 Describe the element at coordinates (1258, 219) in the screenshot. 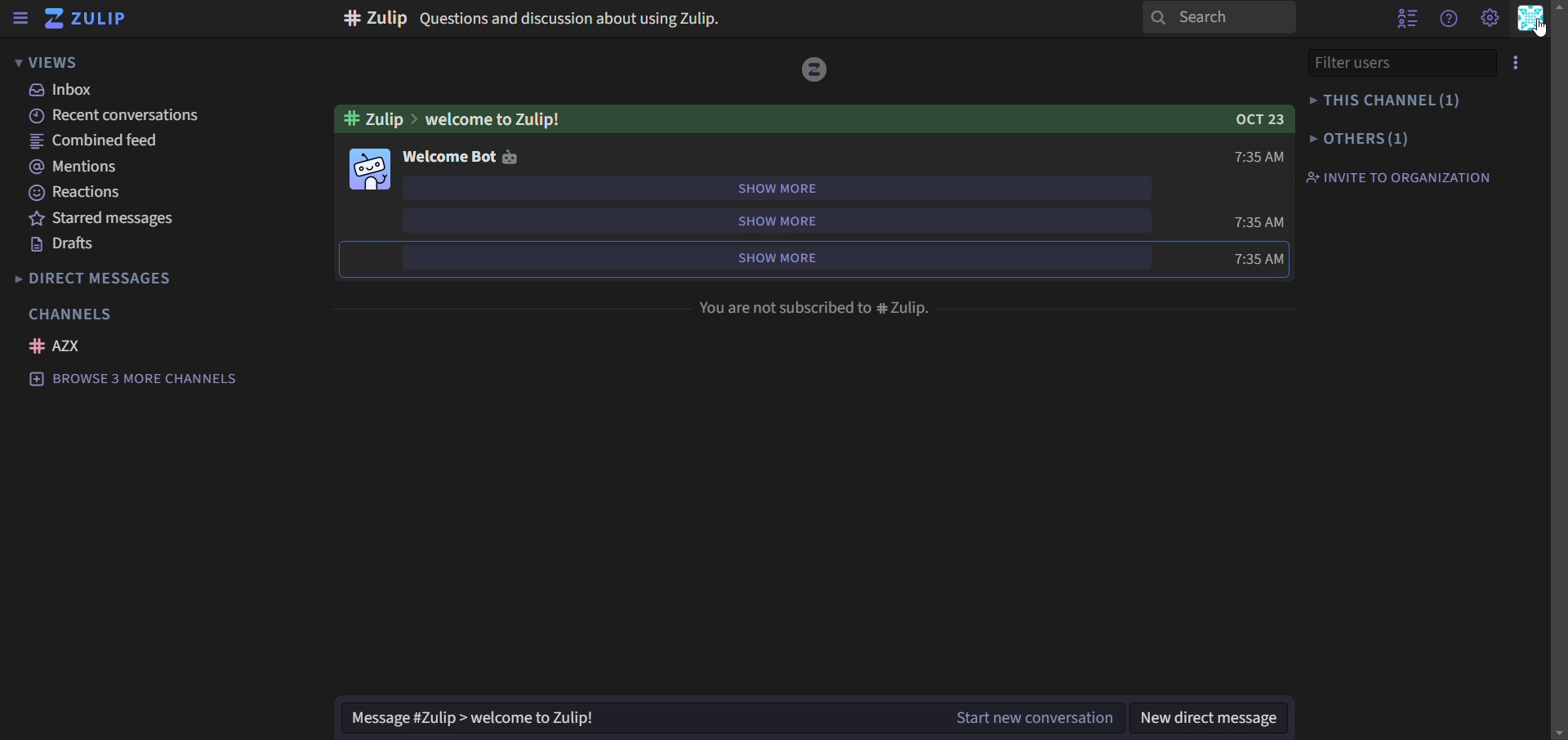

I see `7:35am` at that location.